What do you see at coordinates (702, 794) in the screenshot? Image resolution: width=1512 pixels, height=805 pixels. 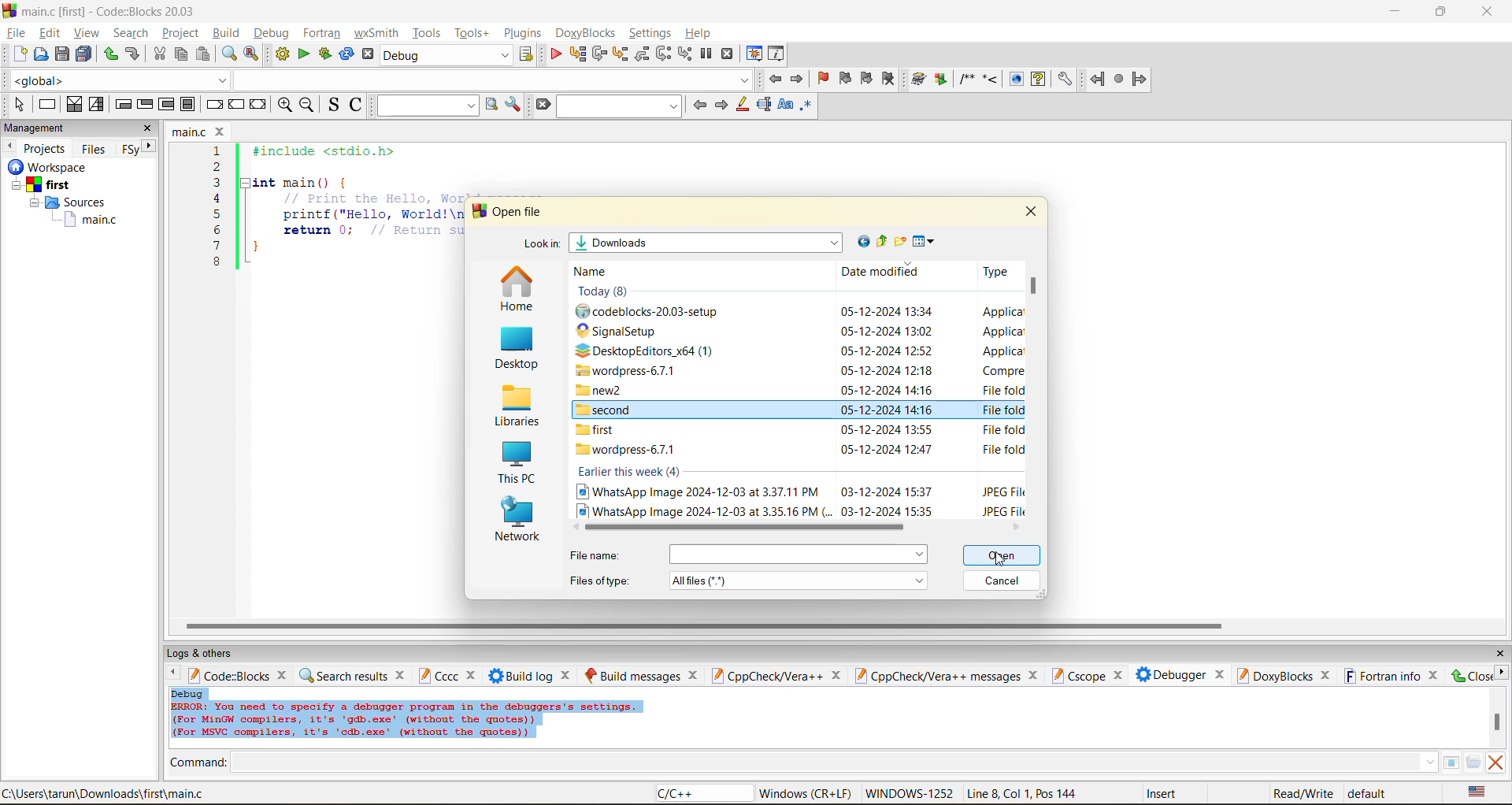 I see `language` at bounding box center [702, 794].